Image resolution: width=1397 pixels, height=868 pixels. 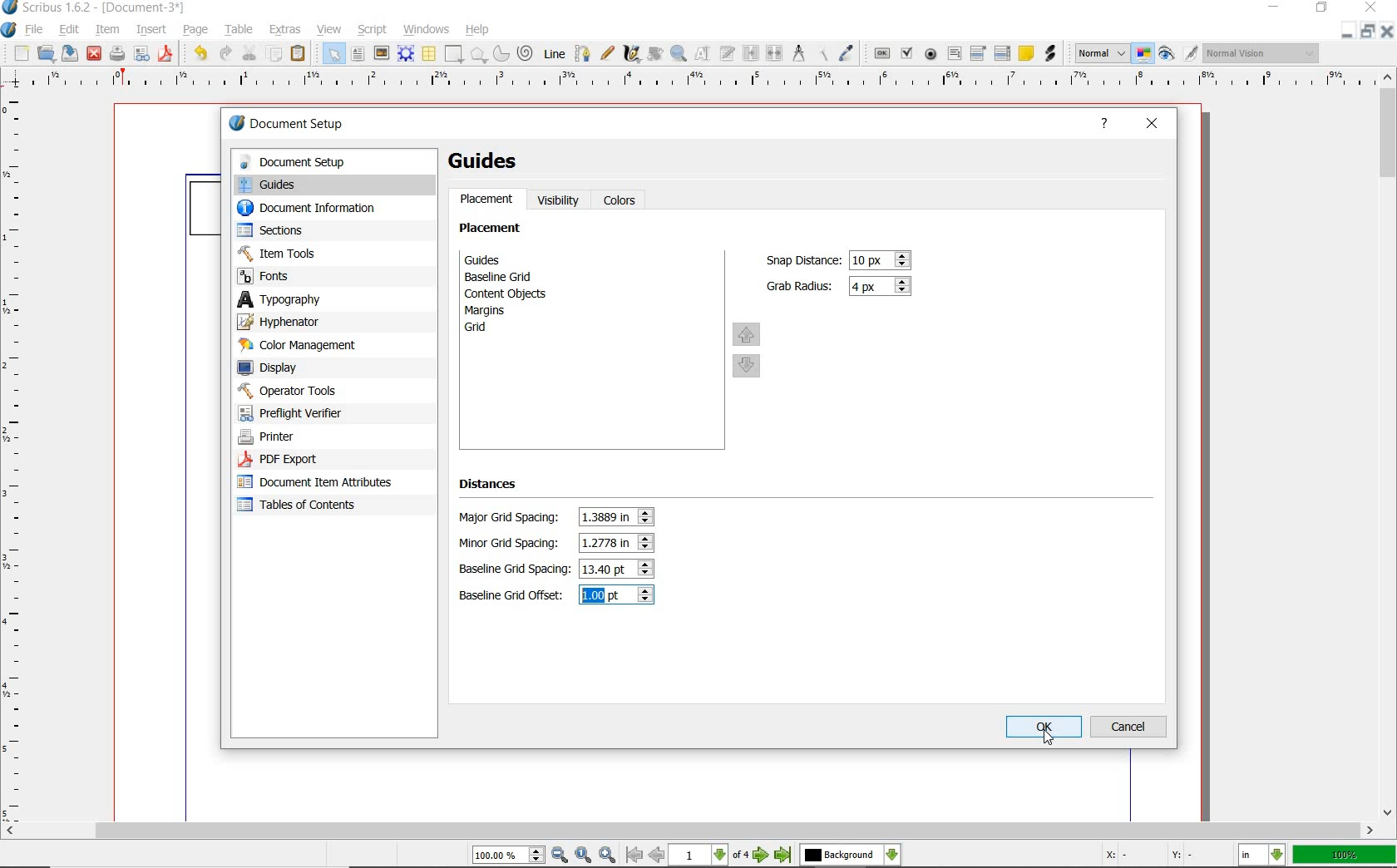 I want to click on Scribus 1.6.2 - [Document-3*], so click(x=94, y=8).